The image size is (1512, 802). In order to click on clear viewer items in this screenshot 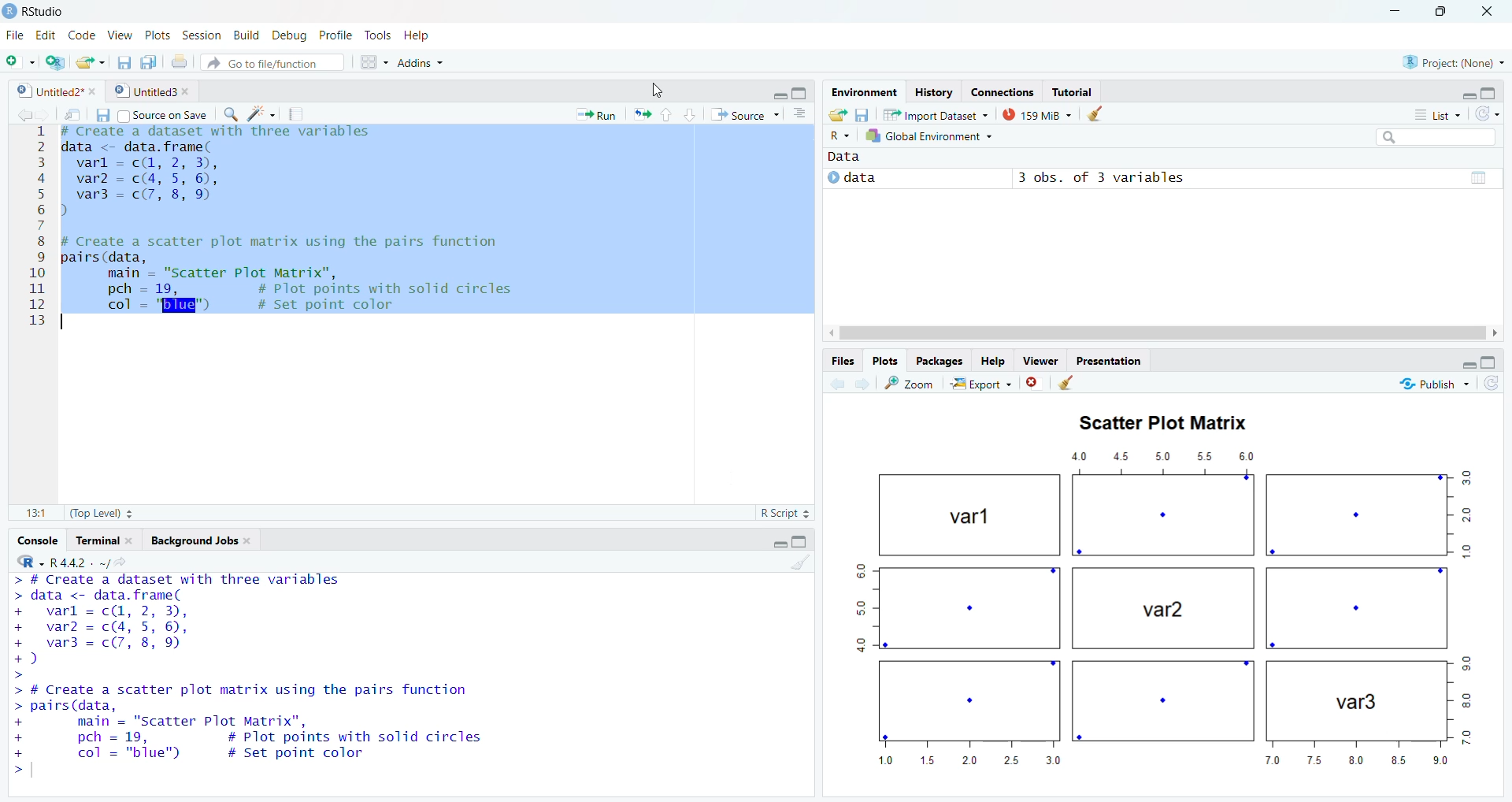, I will do `click(1100, 114)`.